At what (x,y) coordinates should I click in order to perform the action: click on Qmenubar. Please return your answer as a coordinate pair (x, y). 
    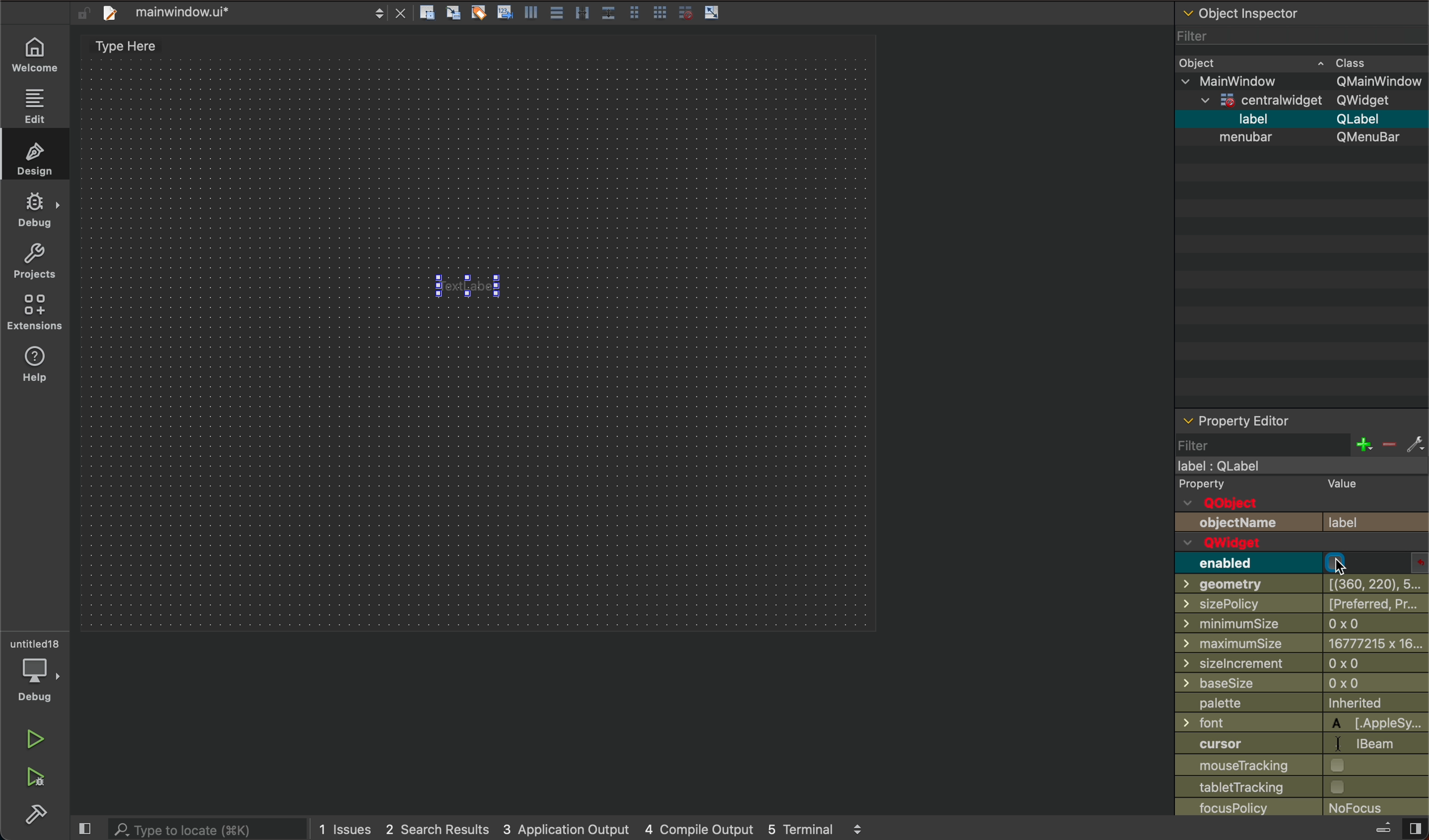
    Looking at the image, I should click on (1368, 140).